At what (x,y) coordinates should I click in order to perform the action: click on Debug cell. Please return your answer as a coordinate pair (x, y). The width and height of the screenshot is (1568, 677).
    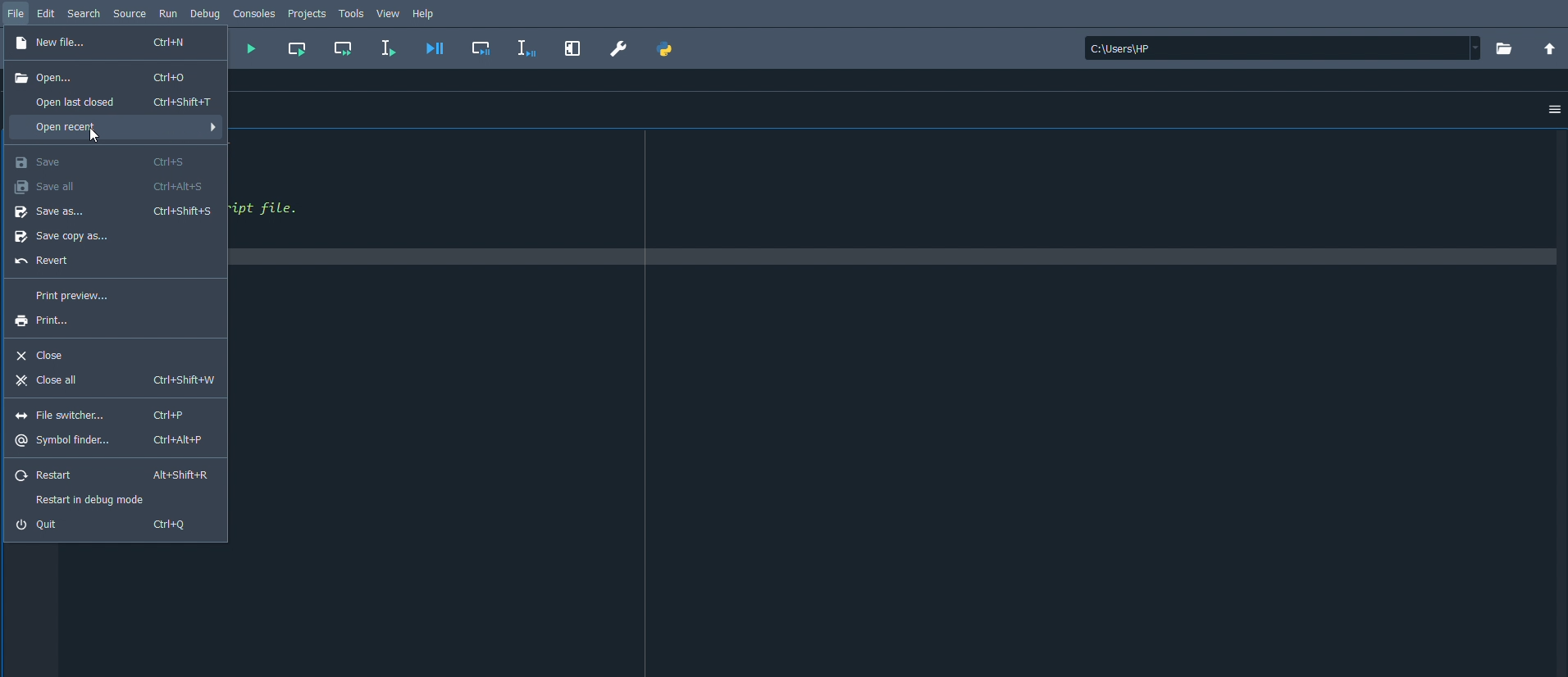
    Looking at the image, I should click on (485, 47).